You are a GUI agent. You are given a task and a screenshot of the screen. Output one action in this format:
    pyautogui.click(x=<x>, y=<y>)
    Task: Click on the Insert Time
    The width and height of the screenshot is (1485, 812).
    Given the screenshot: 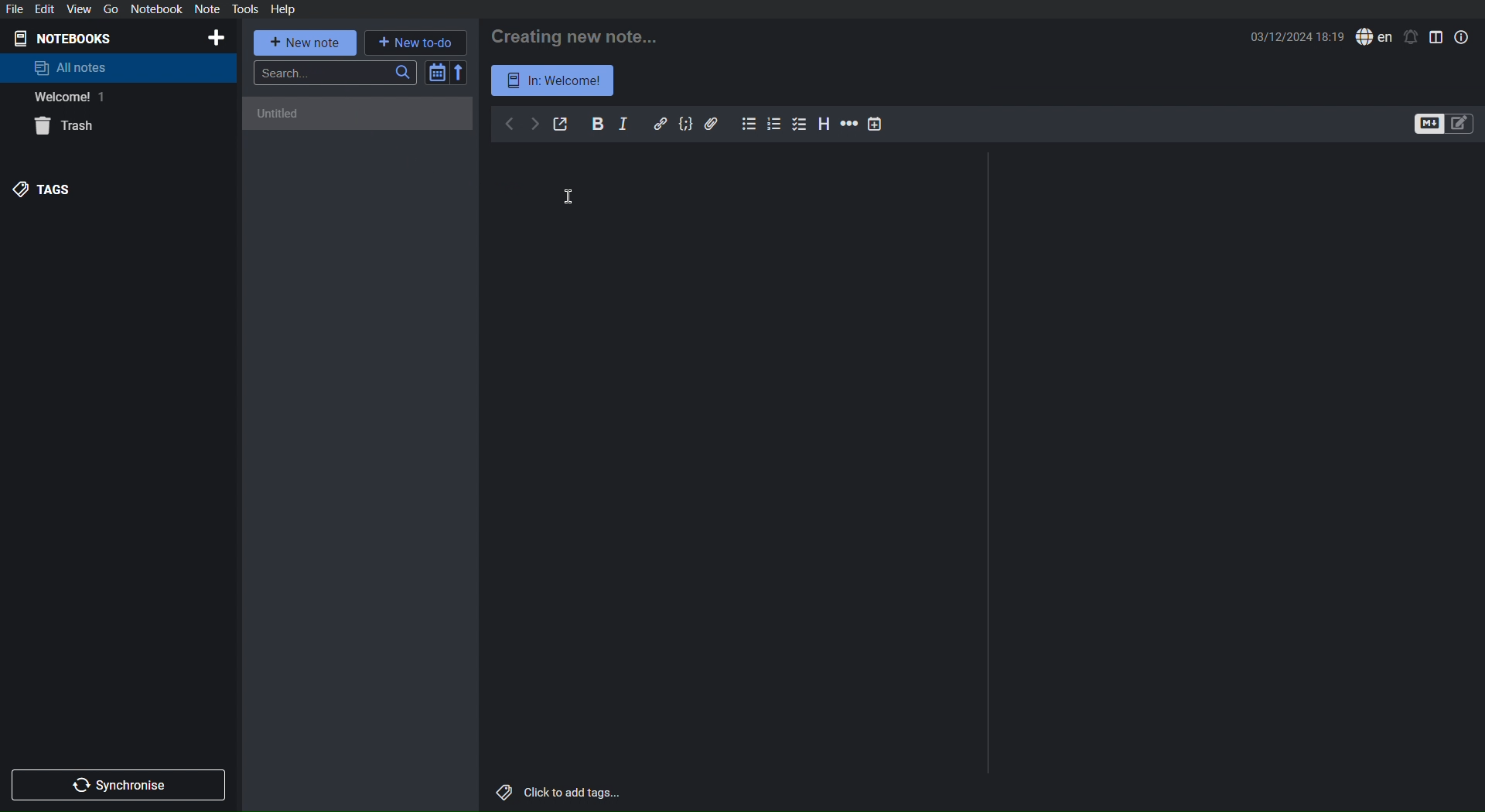 What is the action you would take?
    pyautogui.click(x=876, y=124)
    